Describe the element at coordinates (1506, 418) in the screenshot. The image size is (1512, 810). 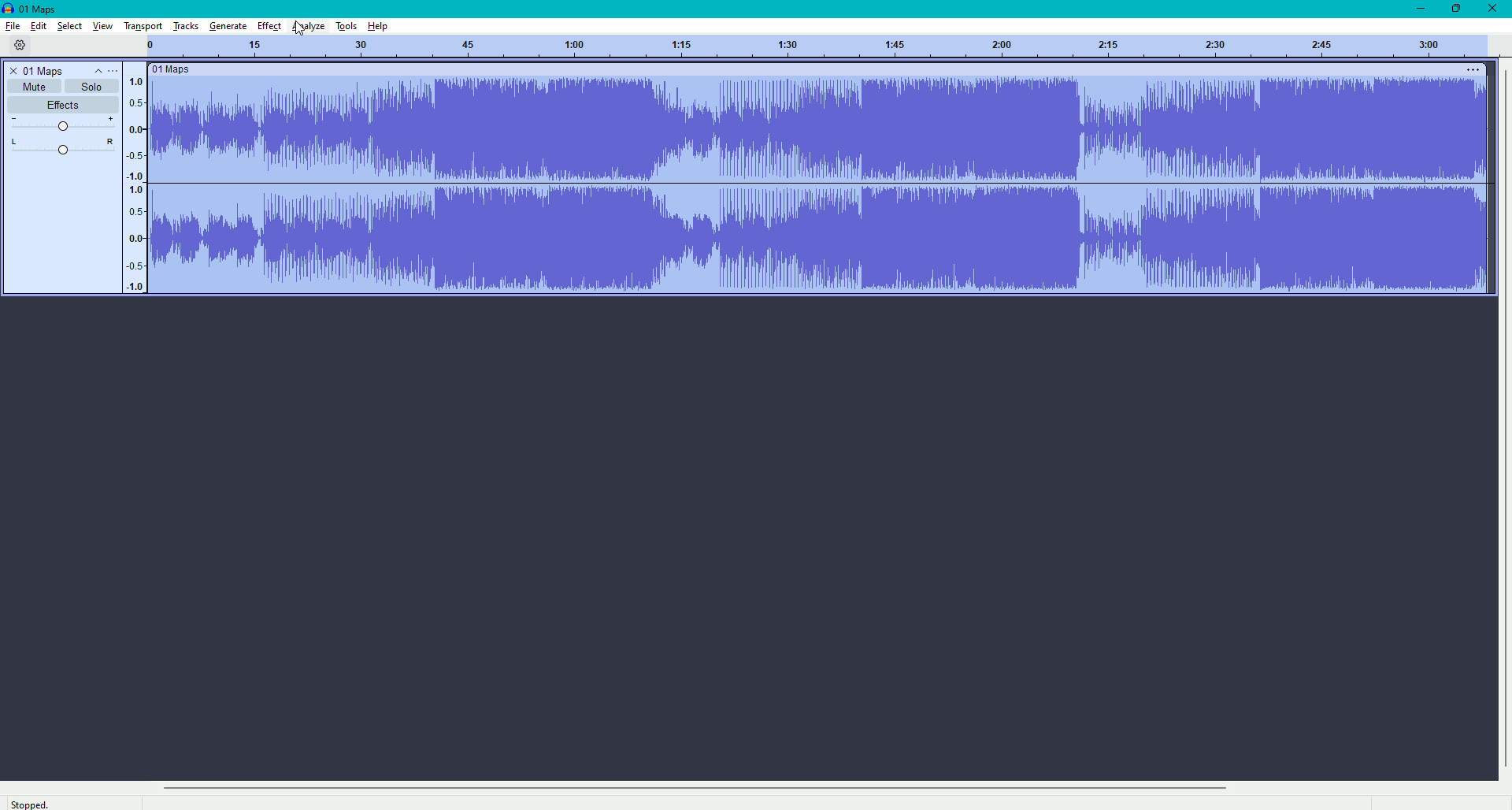
I see `vertical scrollbar` at that location.